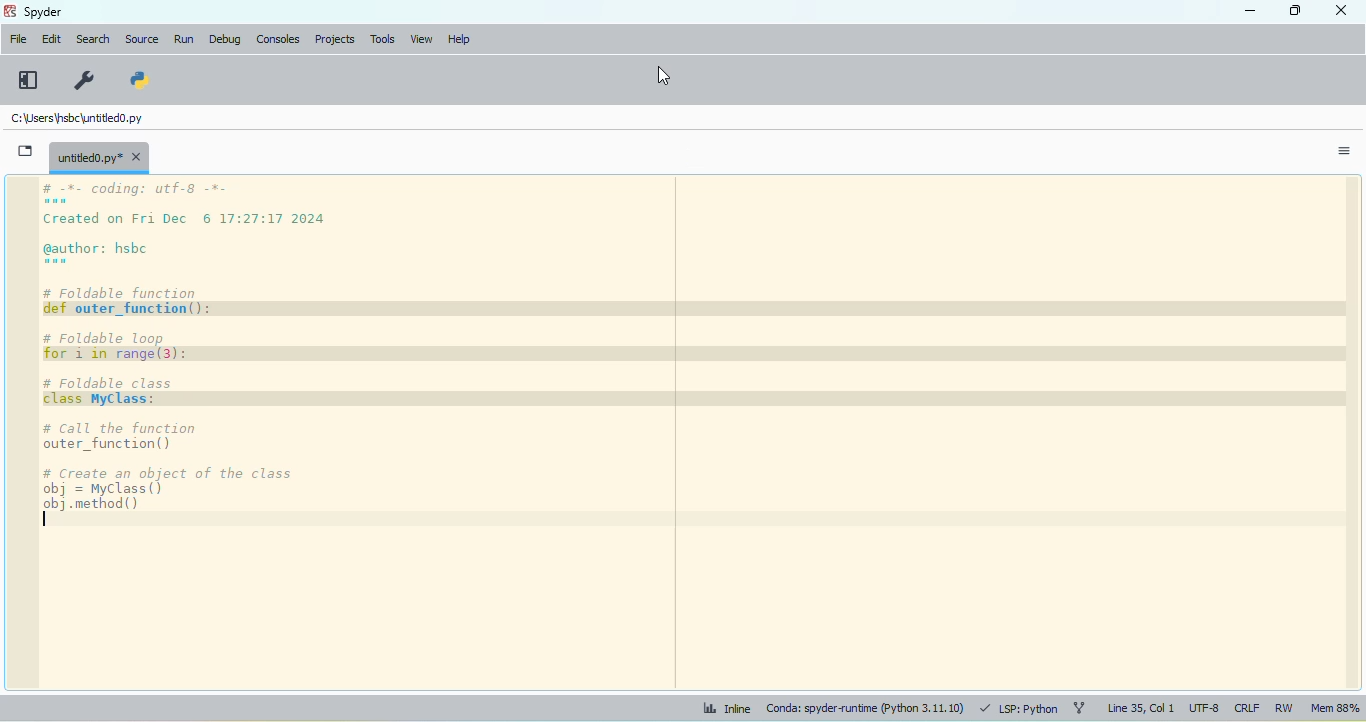 Image resolution: width=1366 pixels, height=722 pixels. Describe the element at coordinates (423, 39) in the screenshot. I see `view` at that location.